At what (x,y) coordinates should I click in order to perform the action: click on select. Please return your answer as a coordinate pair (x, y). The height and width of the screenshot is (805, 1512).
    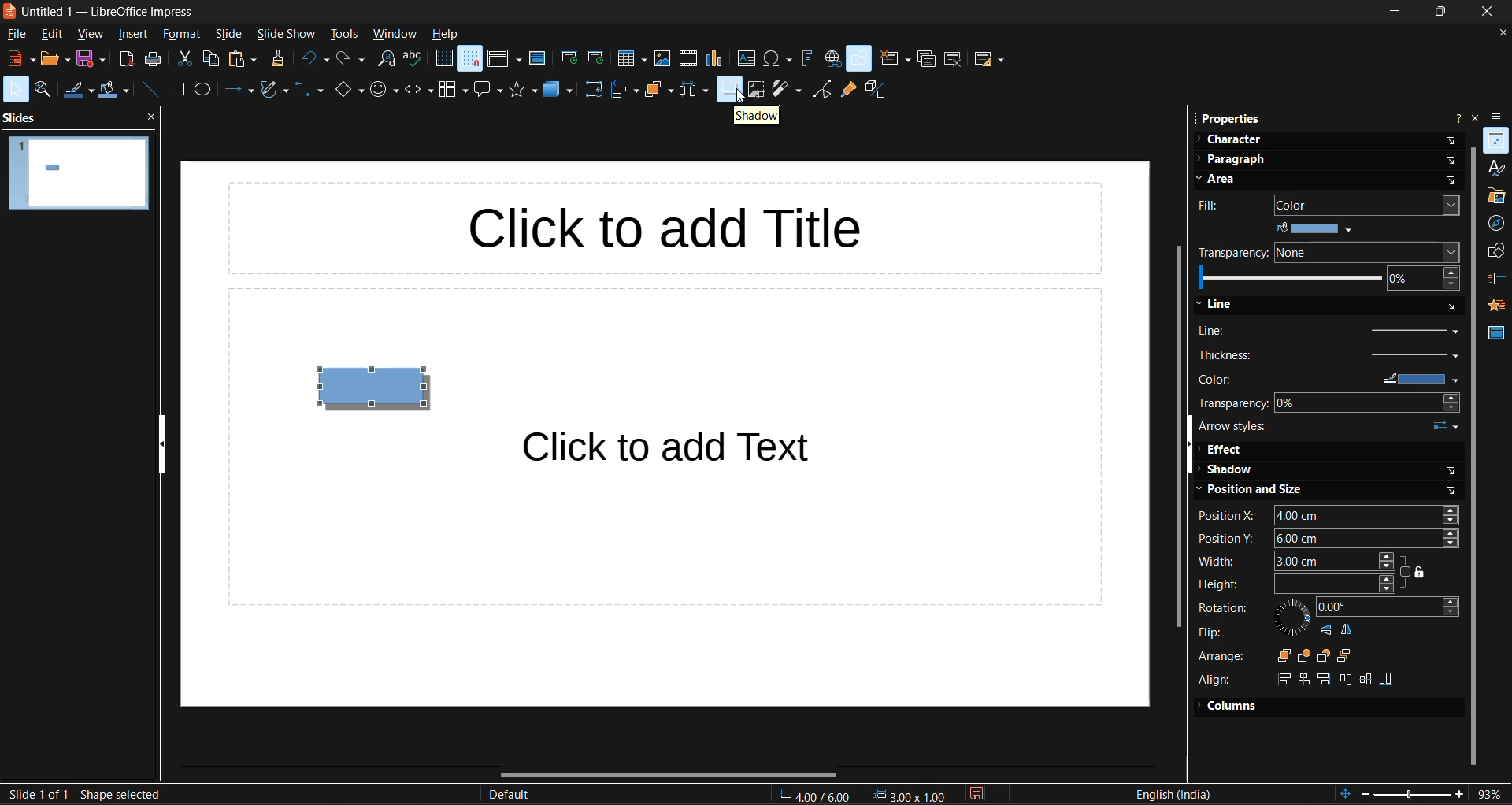
    Looking at the image, I should click on (16, 90).